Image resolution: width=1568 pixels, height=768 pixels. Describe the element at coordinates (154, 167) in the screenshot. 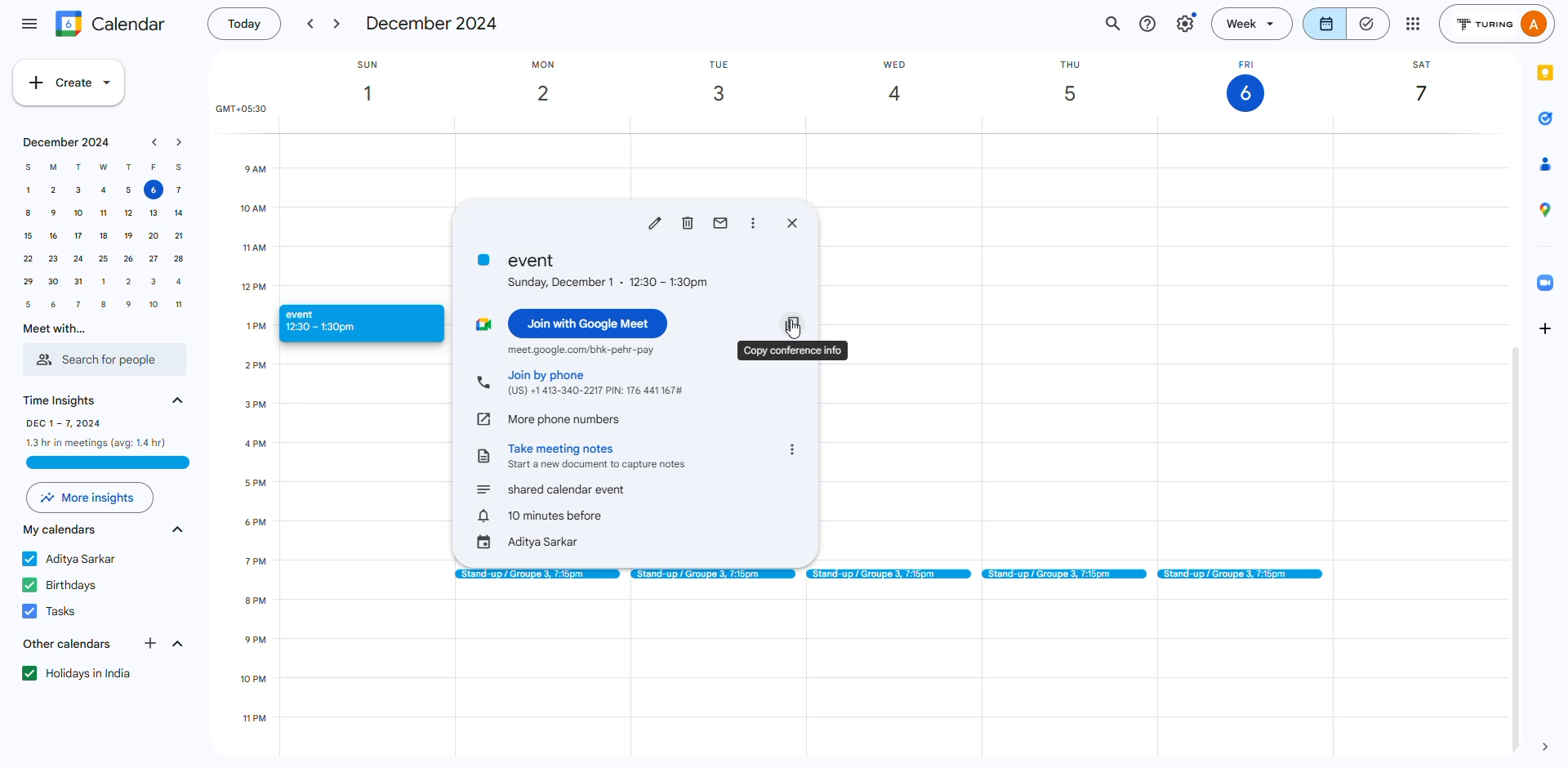

I see `F` at that location.